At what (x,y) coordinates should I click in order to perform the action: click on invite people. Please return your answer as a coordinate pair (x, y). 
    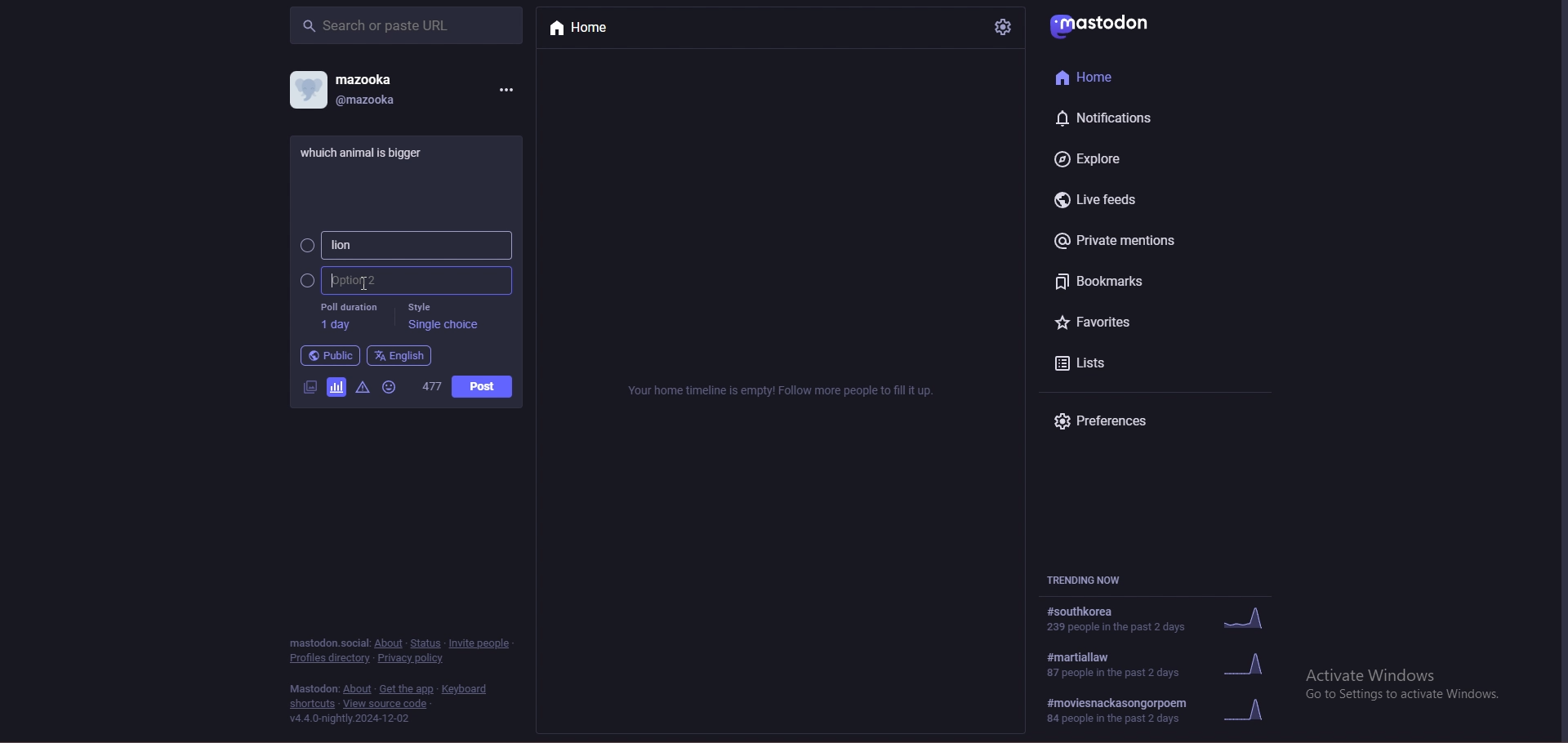
    Looking at the image, I should click on (482, 642).